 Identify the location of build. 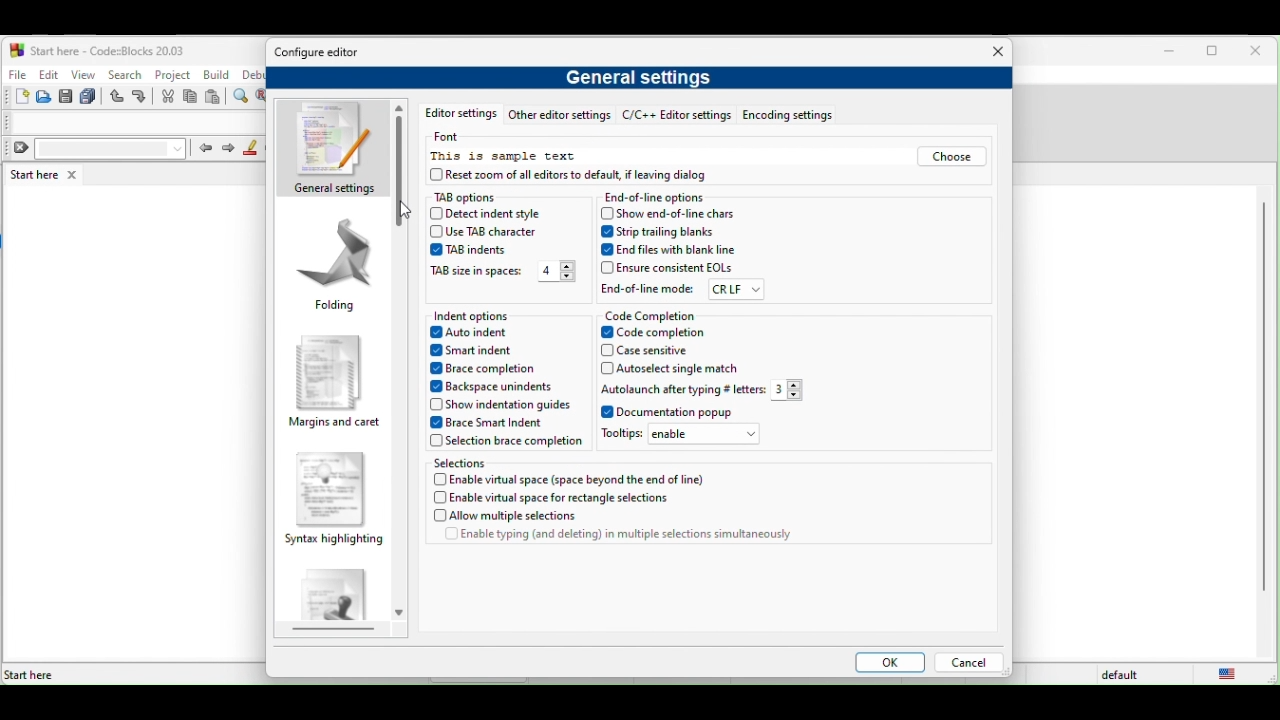
(218, 75).